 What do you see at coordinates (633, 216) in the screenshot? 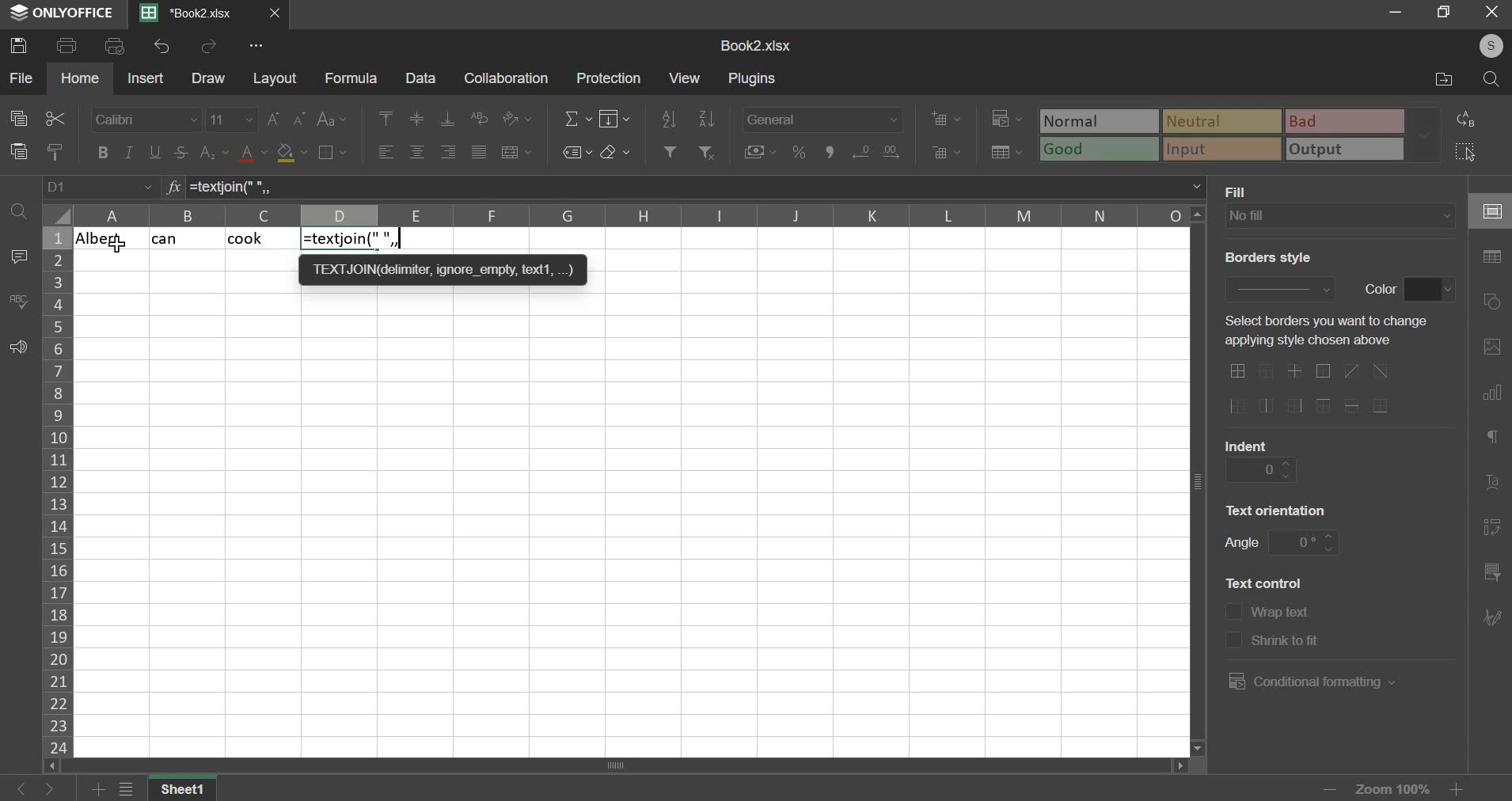
I see `columns` at bounding box center [633, 216].